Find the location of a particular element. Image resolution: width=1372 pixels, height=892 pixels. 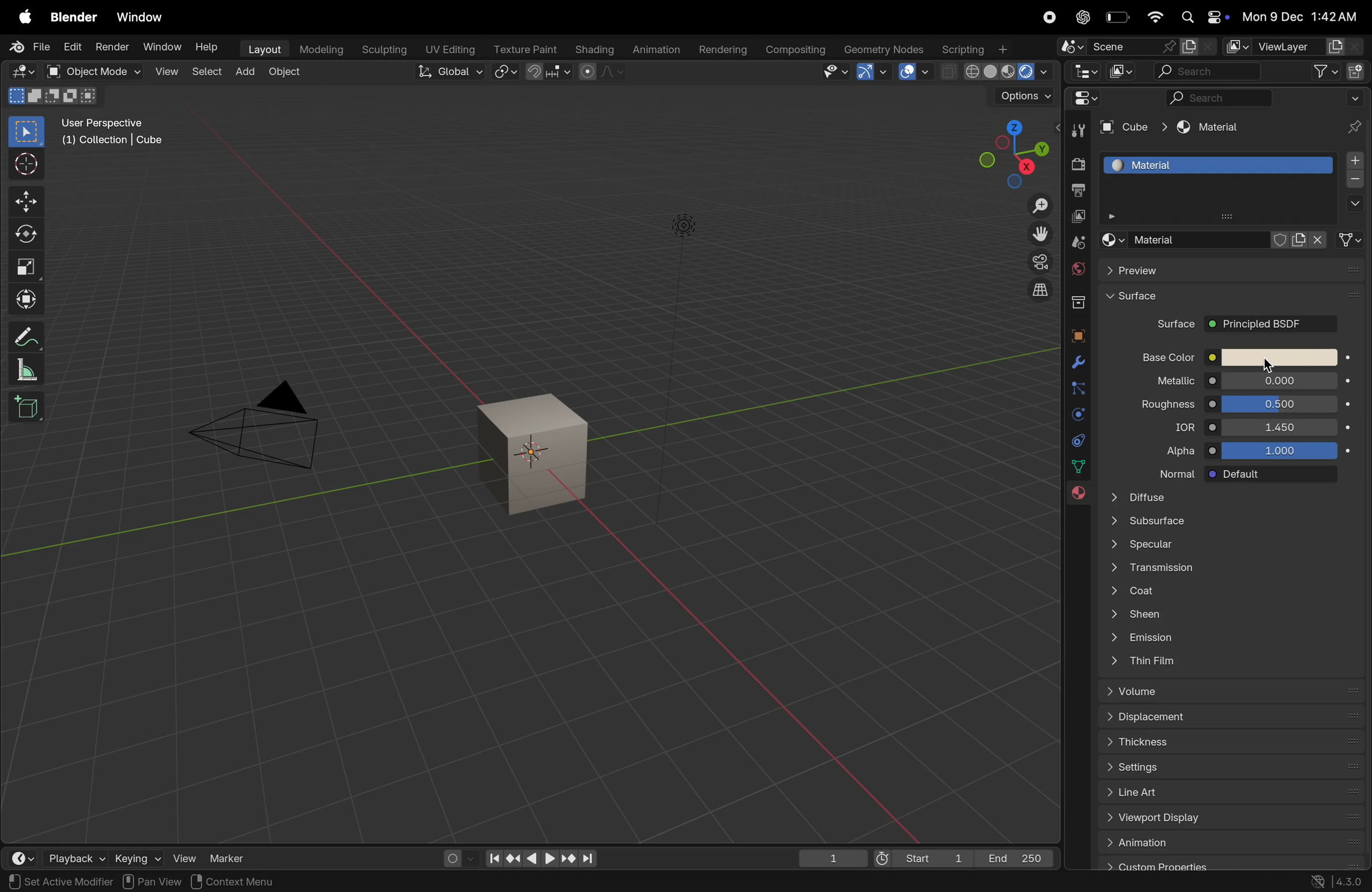

normal is located at coordinates (1166, 473).